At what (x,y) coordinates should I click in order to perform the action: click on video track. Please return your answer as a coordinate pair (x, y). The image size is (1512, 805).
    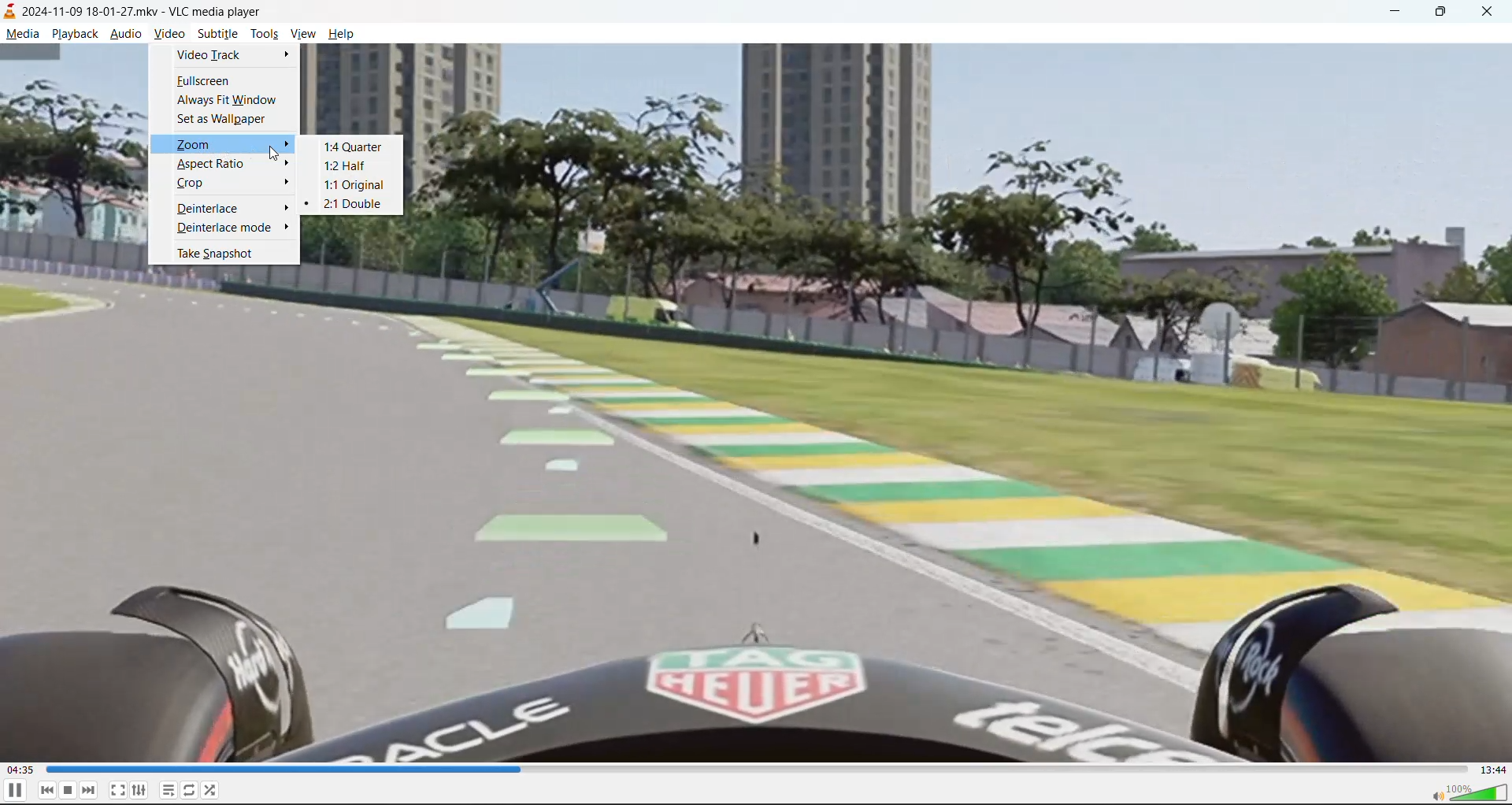
    Looking at the image, I should click on (225, 56).